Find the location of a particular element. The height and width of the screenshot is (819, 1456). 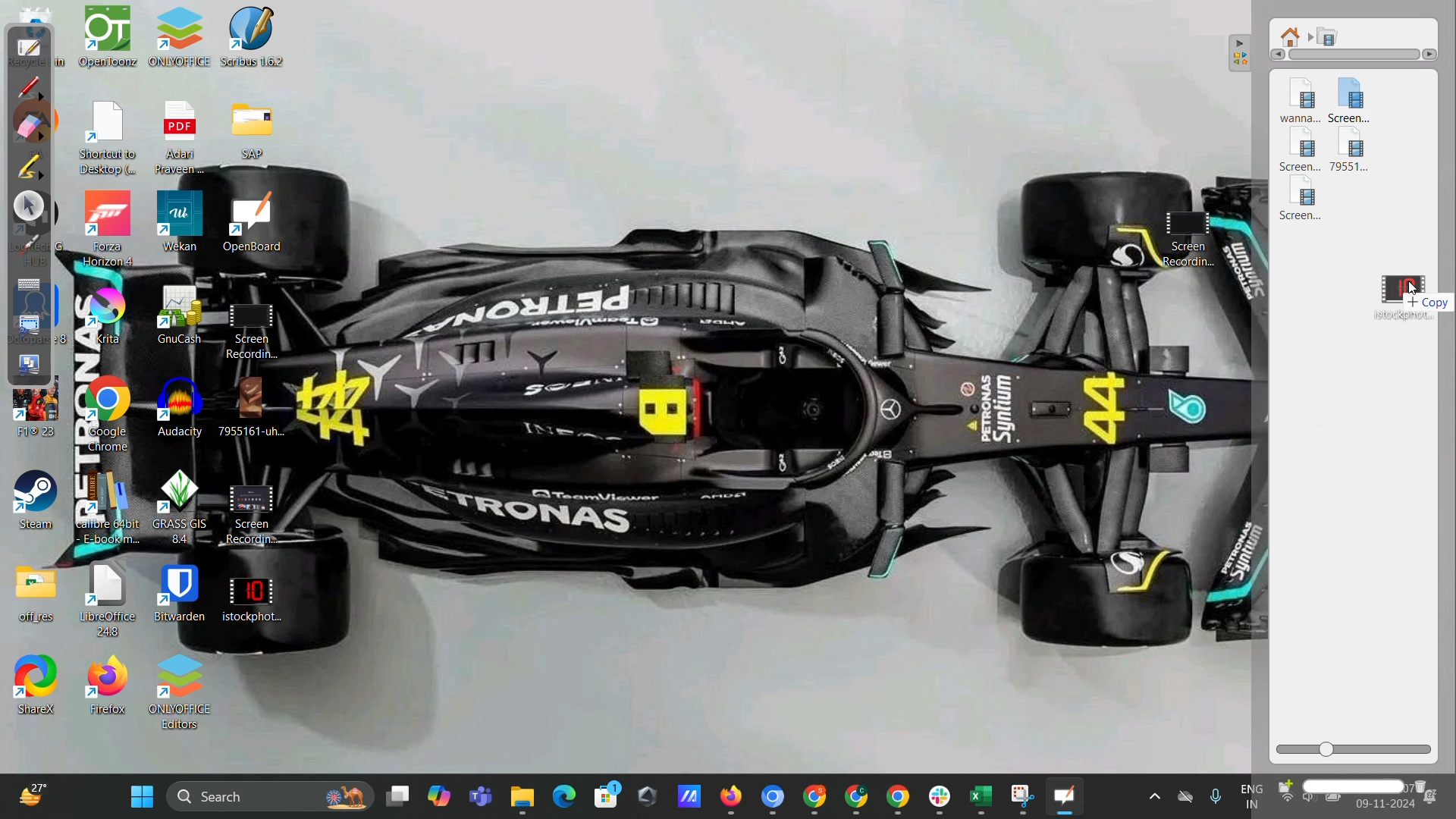

video 3 is located at coordinates (1300, 152).